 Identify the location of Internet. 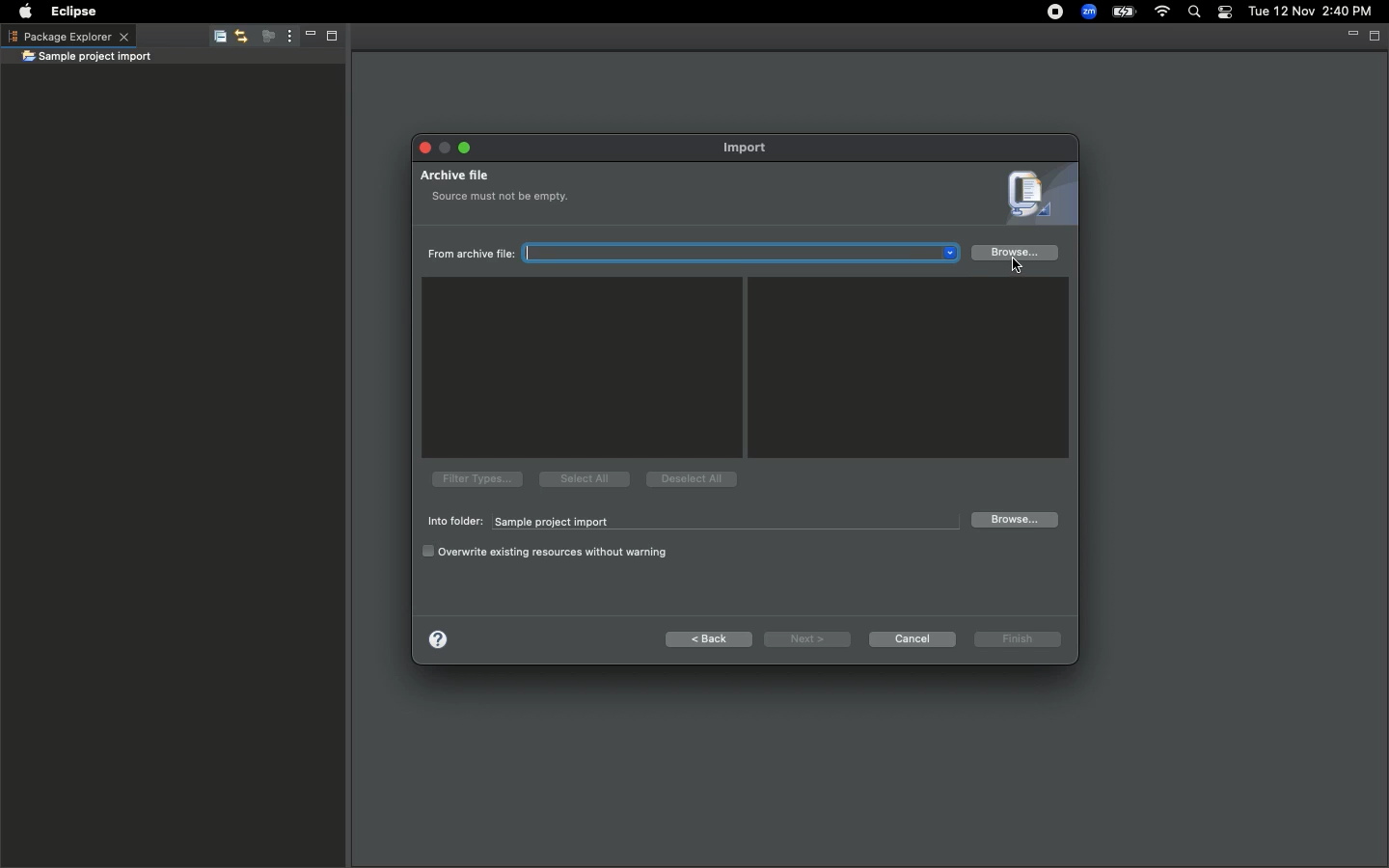
(1162, 13).